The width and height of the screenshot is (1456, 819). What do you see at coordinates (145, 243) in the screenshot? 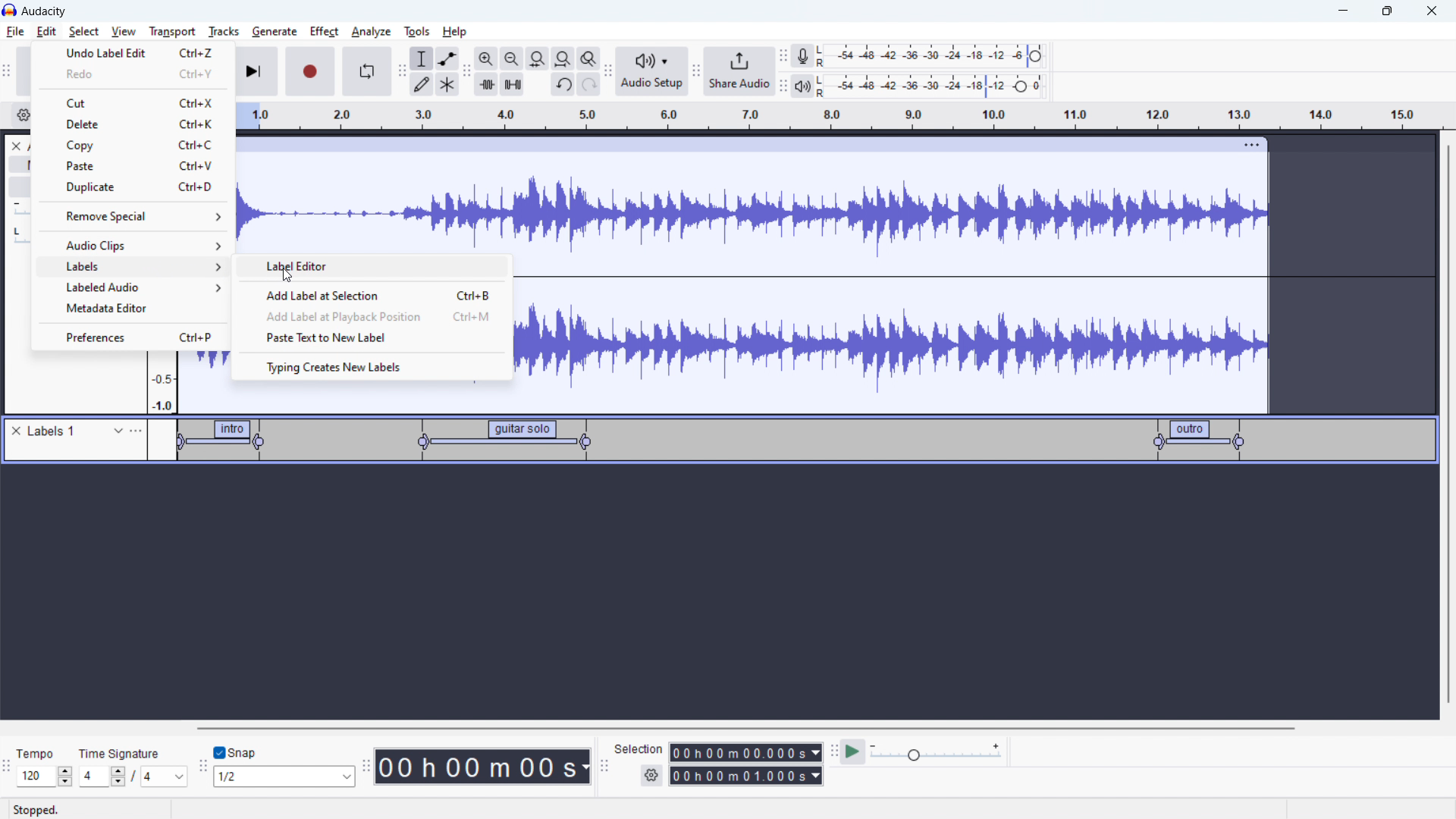
I see `Audio Clips` at bounding box center [145, 243].